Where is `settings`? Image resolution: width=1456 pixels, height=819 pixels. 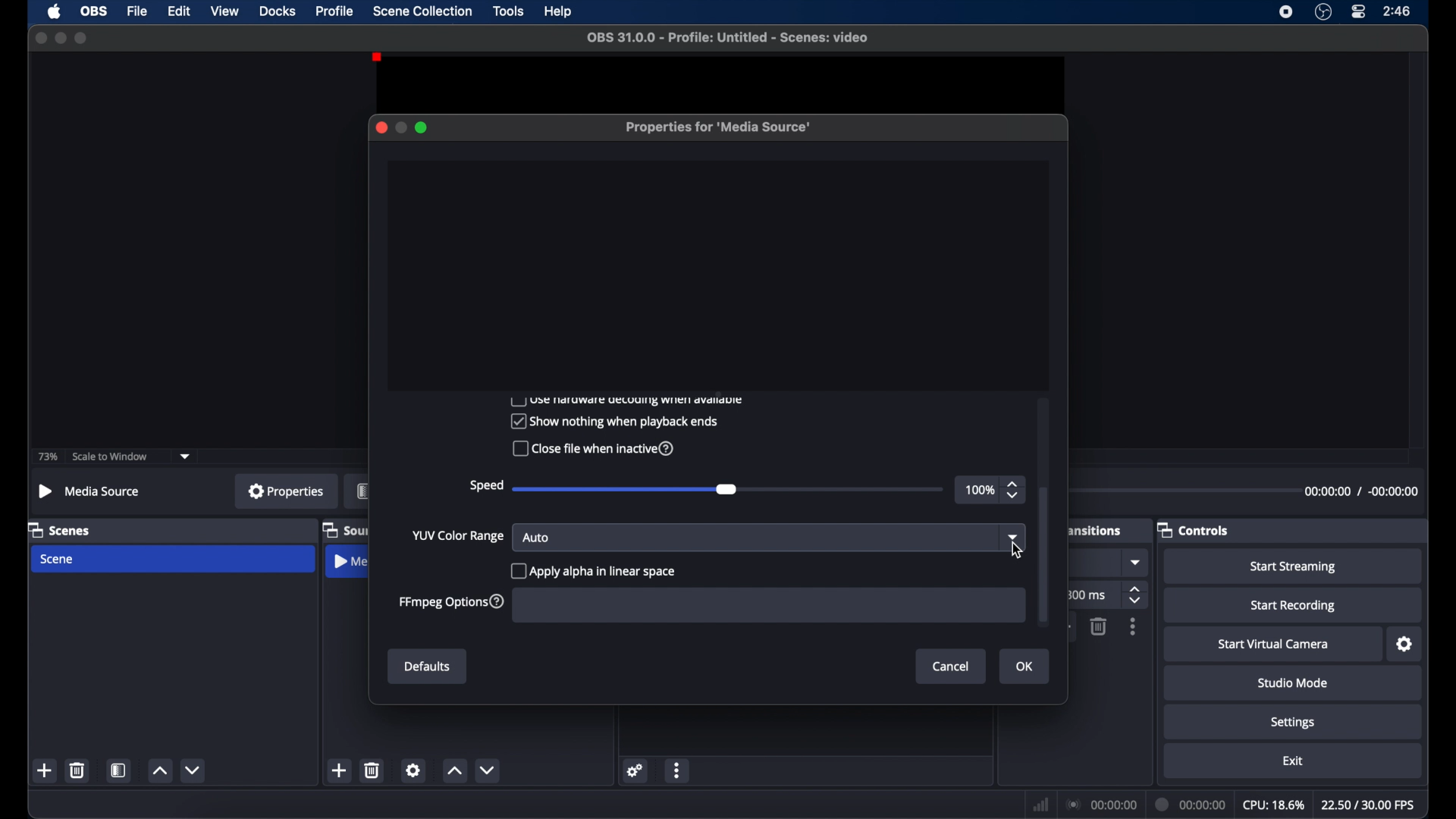 settings is located at coordinates (1293, 722).